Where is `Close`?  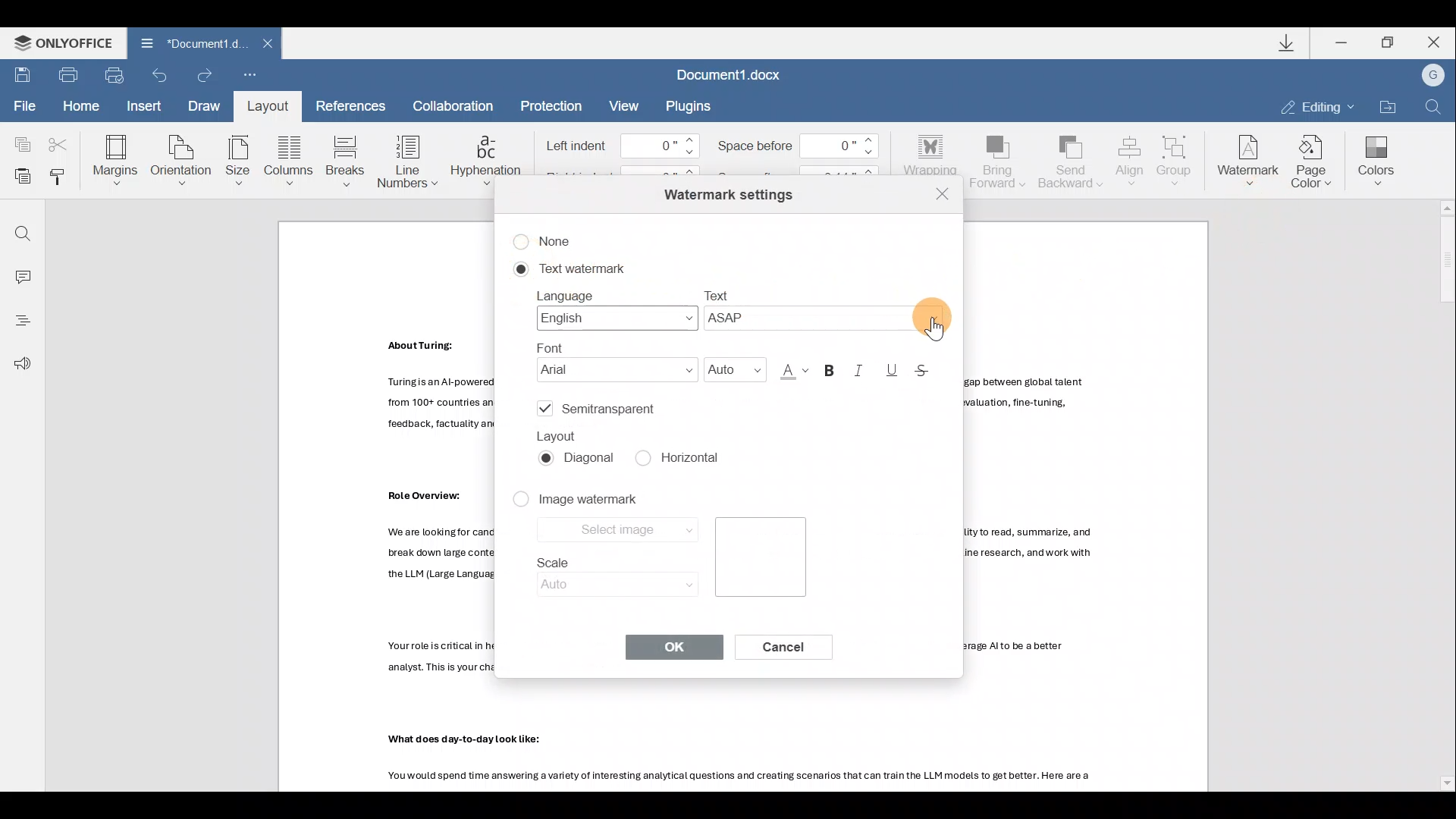 Close is located at coordinates (943, 193).